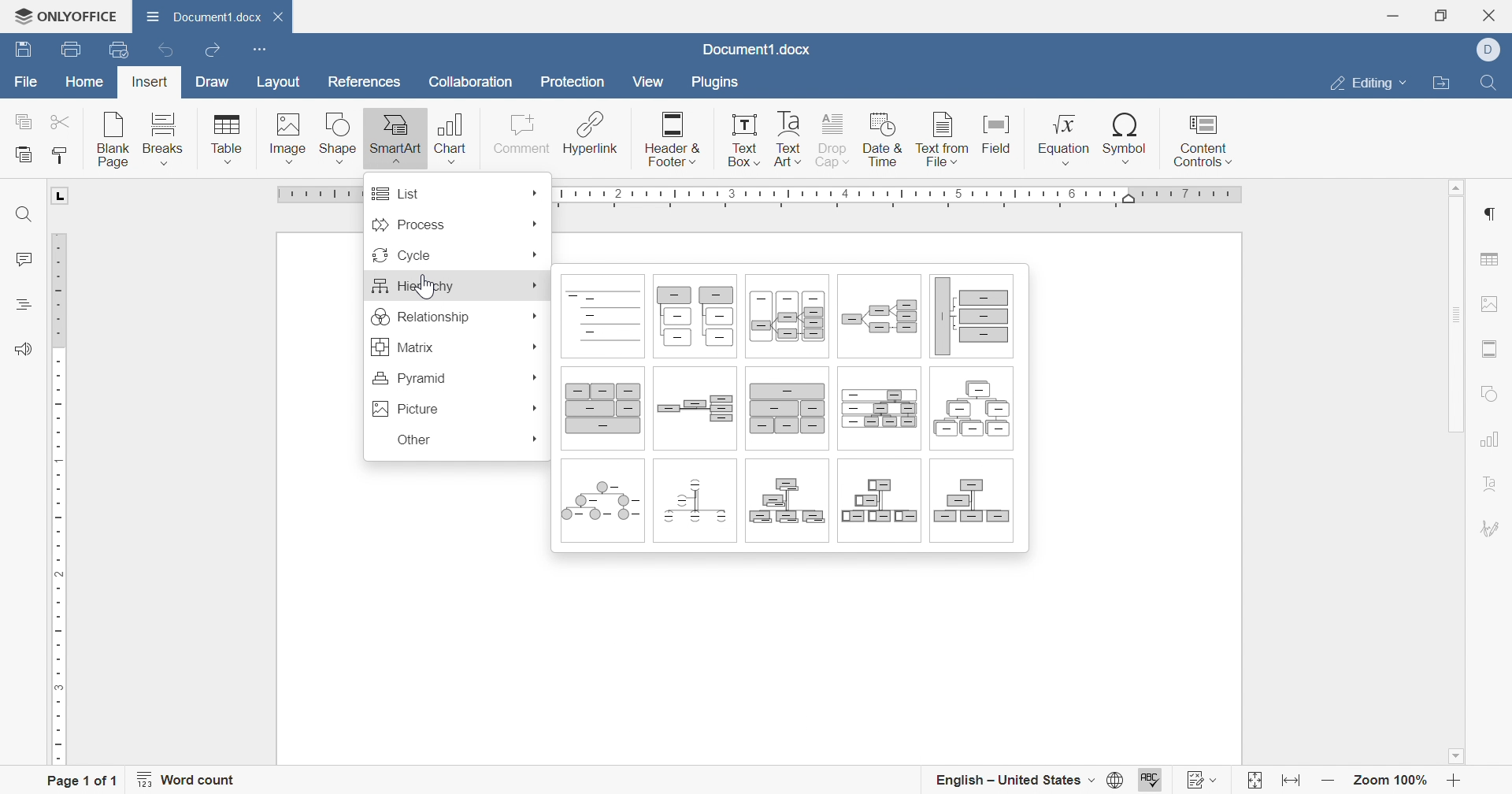 The image size is (1512, 794). Describe the element at coordinates (116, 139) in the screenshot. I see `Blank page` at that location.